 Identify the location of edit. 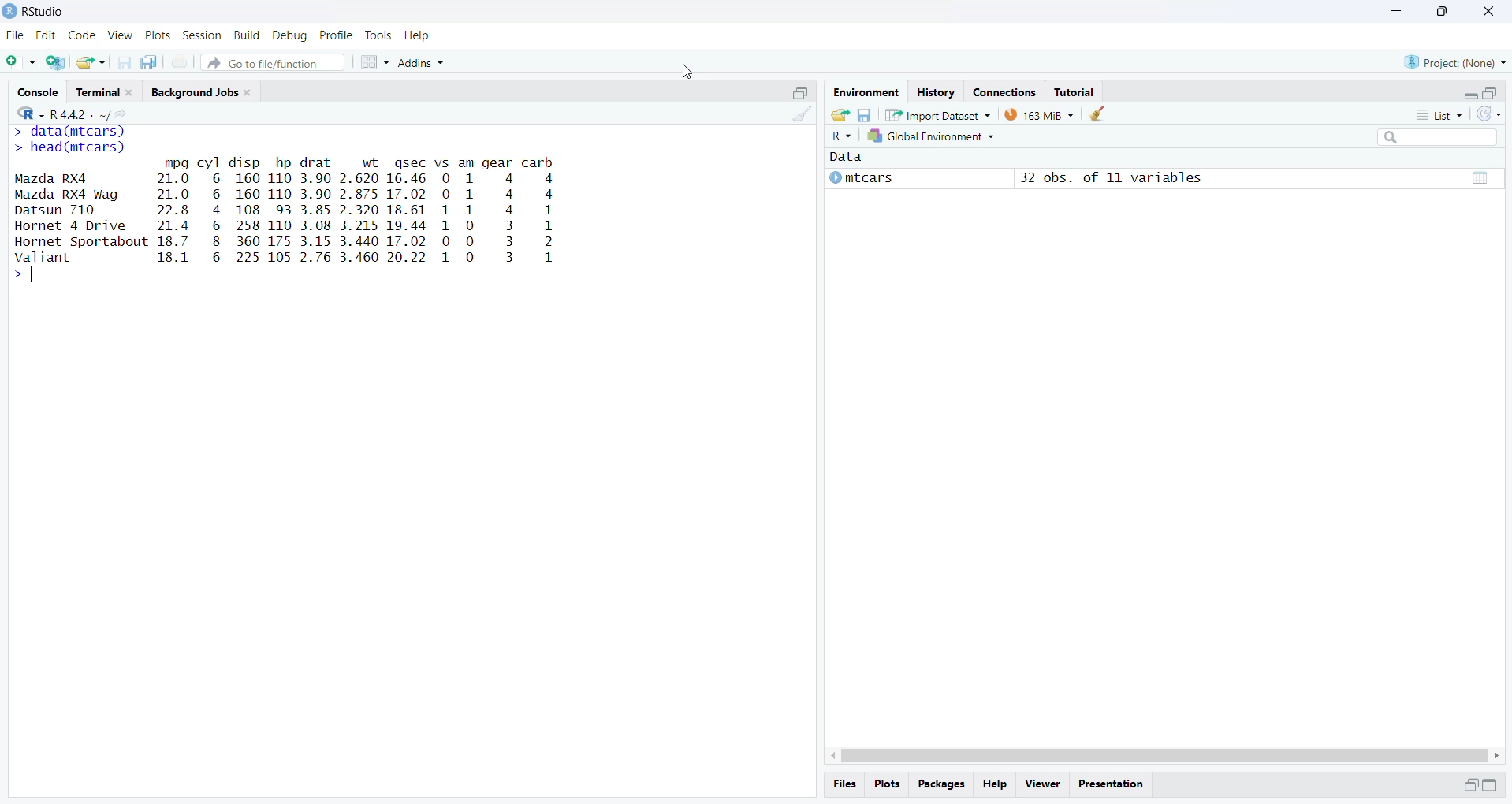
(46, 35).